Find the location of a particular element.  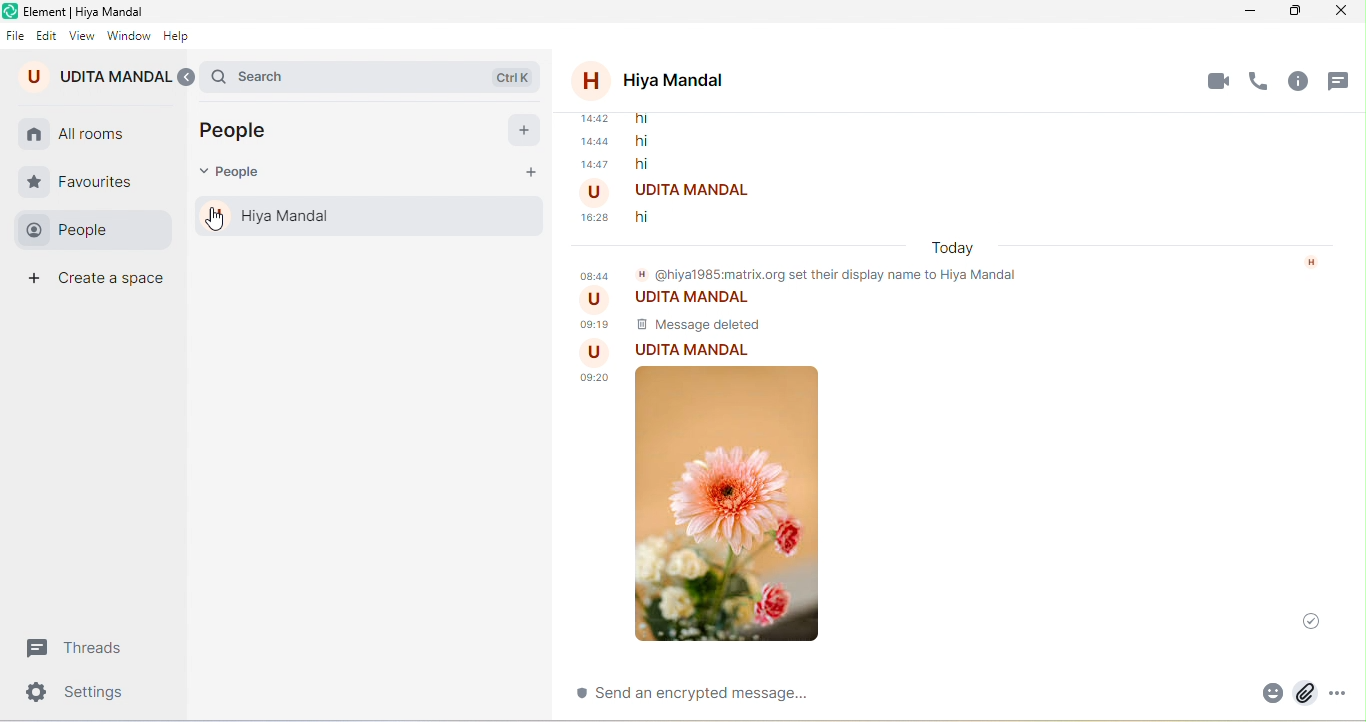

hiya mondal is located at coordinates (682, 84).